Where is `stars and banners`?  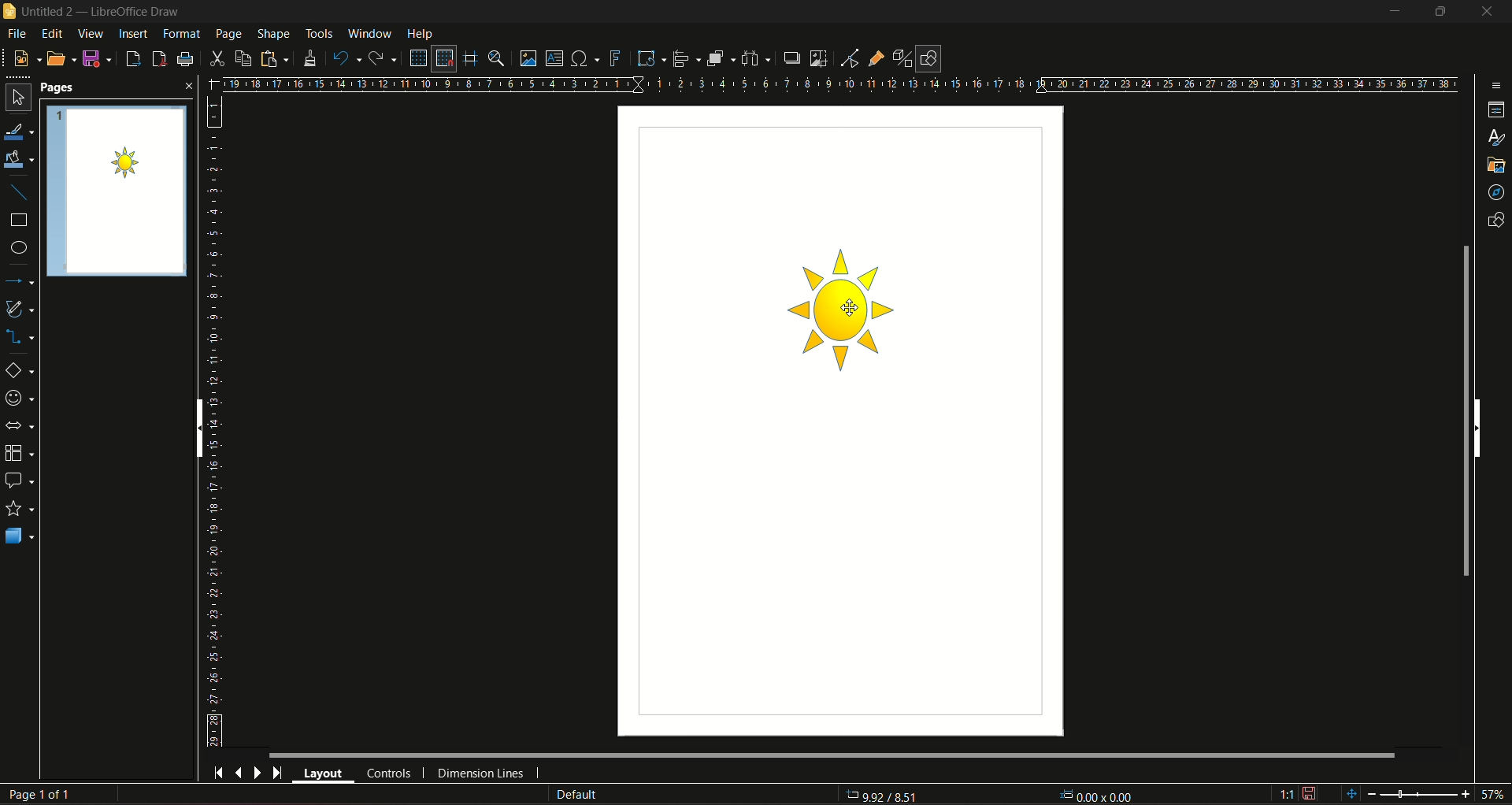 stars and banners is located at coordinates (18, 510).